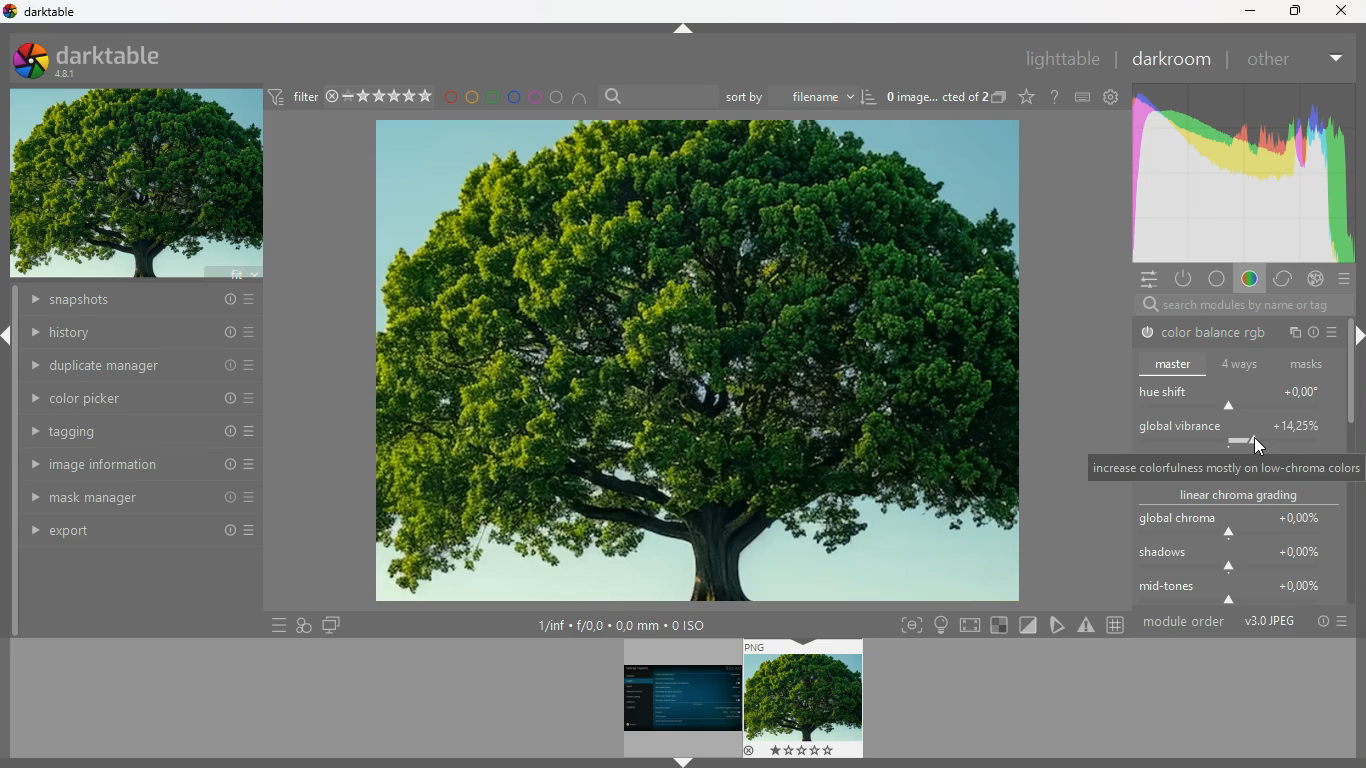 This screenshot has height=768, width=1366. What do you see at coordinates (137, 186) in the screenshot?
I see `image` at bounding box center [137, 186].